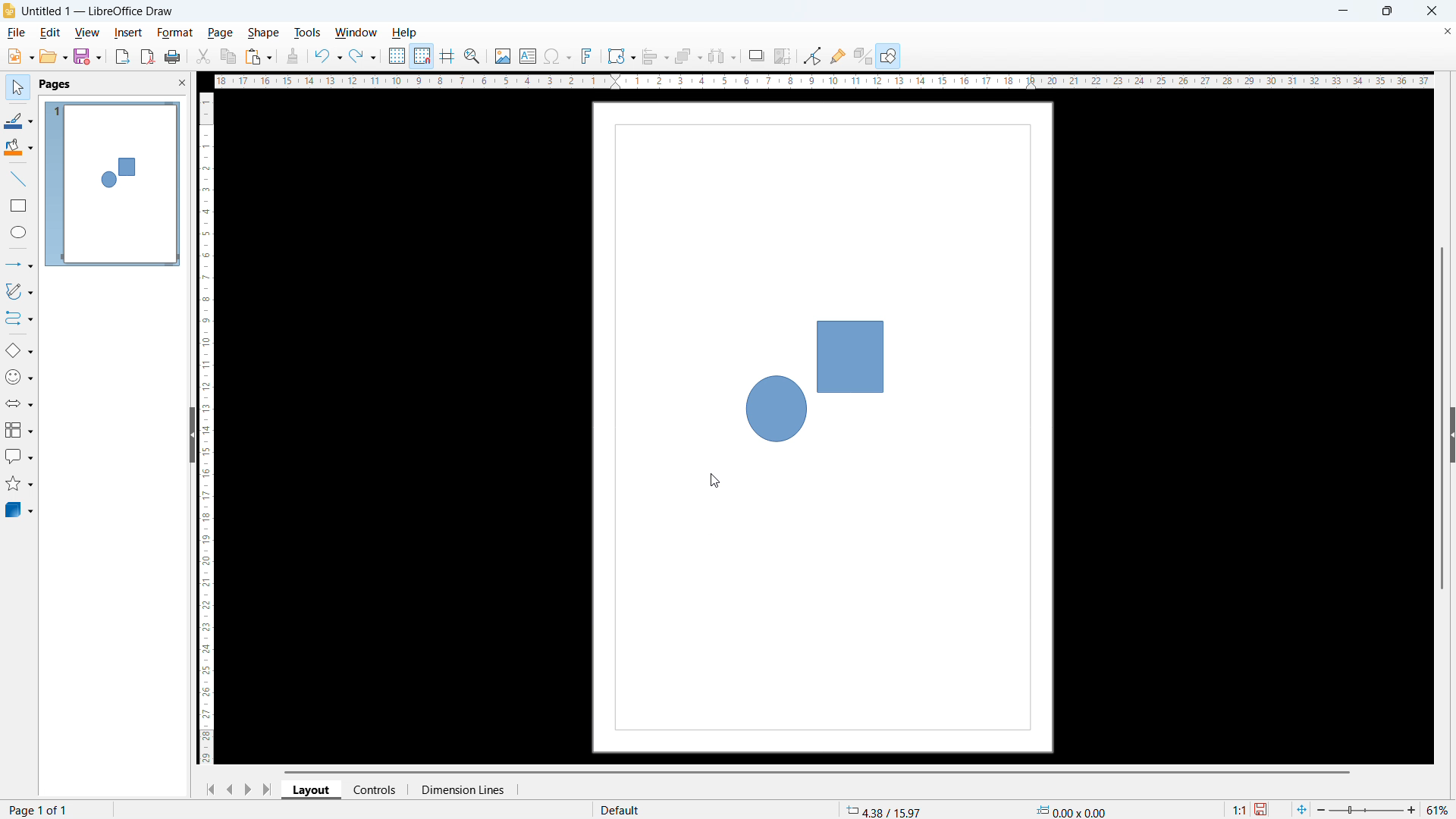 This screenshot has width=1456, height=819. I want to click on cursor, so click(716, 482).